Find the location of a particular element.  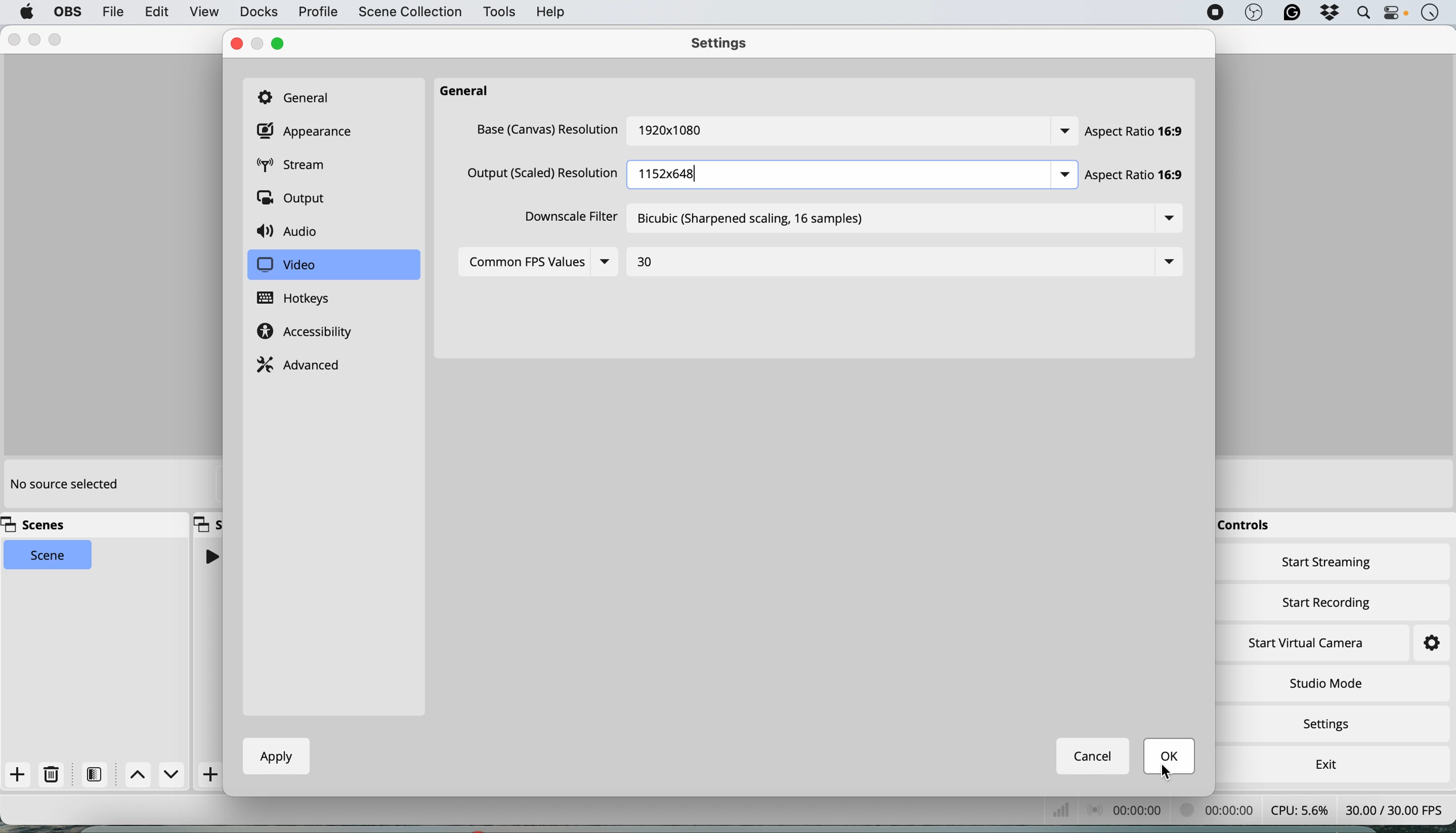

profile is located at coordinates (317, 13).